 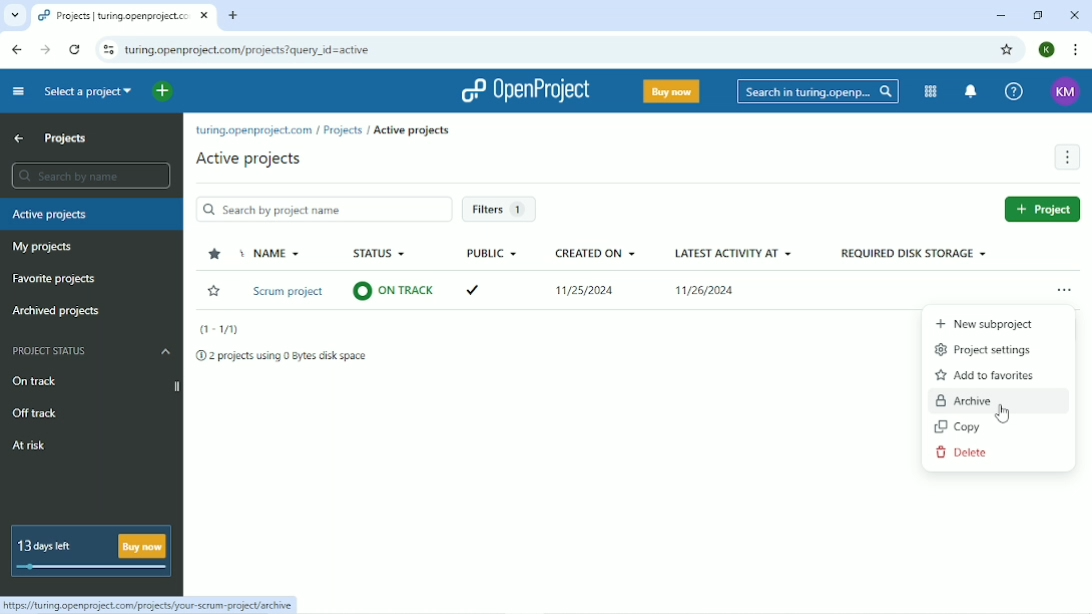 I want to click on Active projects, so click(x=50, y=215).